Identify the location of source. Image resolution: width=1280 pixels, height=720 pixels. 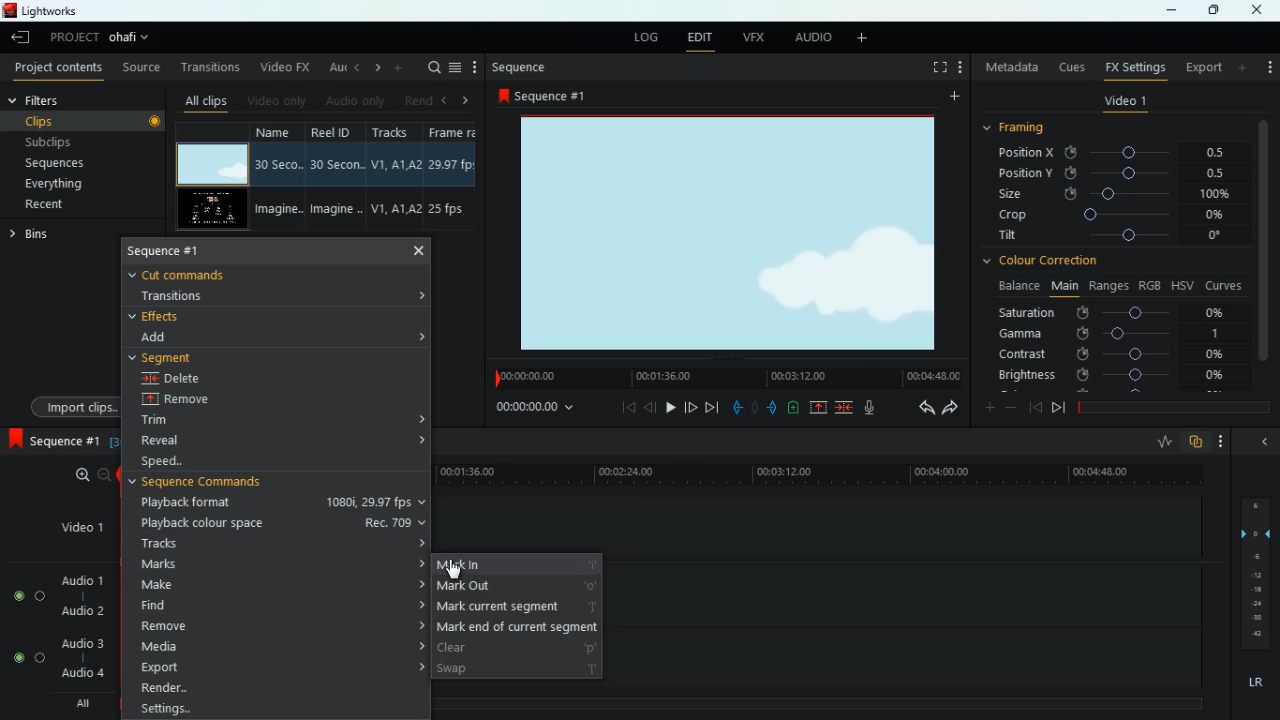
(138, 66).